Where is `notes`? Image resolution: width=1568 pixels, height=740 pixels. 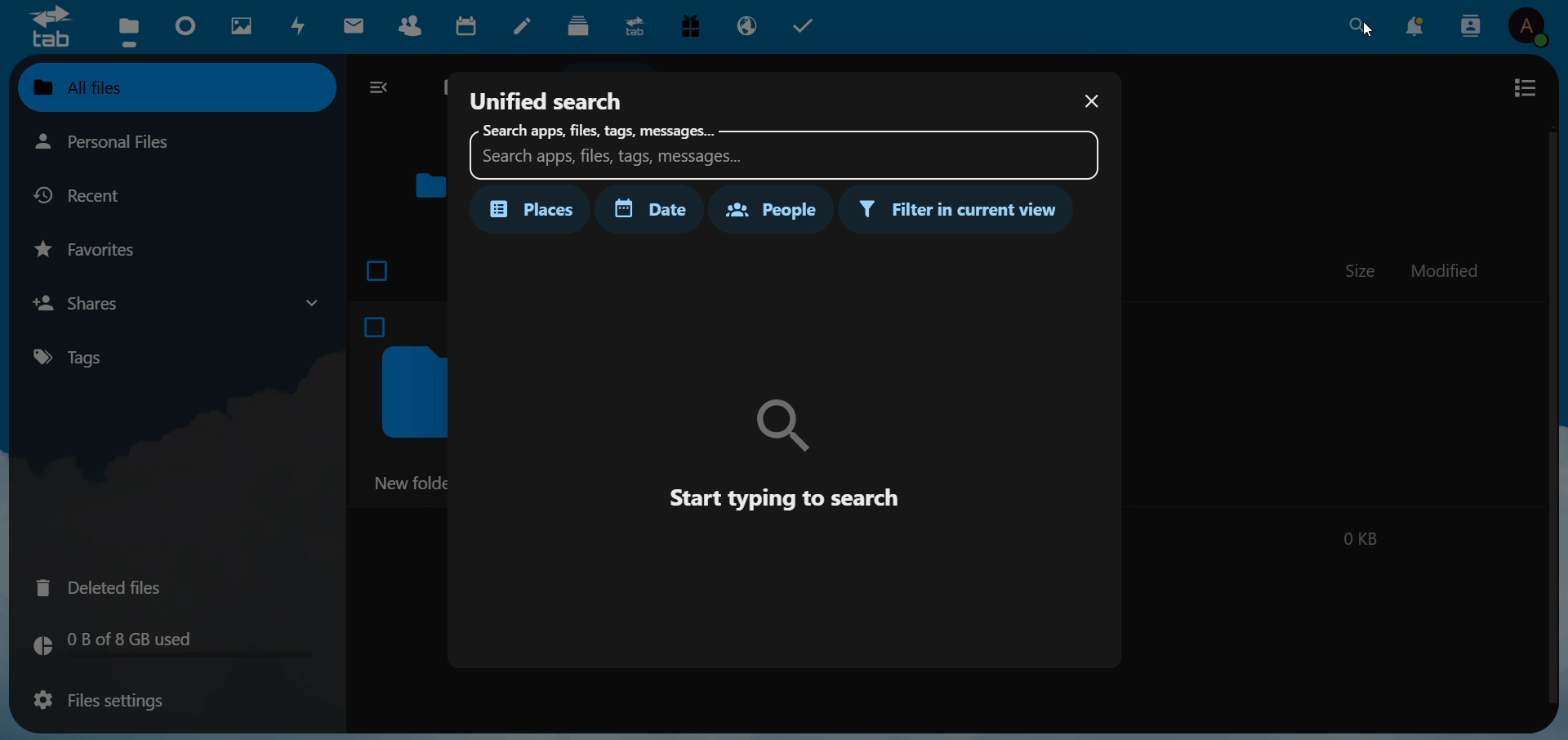 notes is located at coordinates (526, 27).